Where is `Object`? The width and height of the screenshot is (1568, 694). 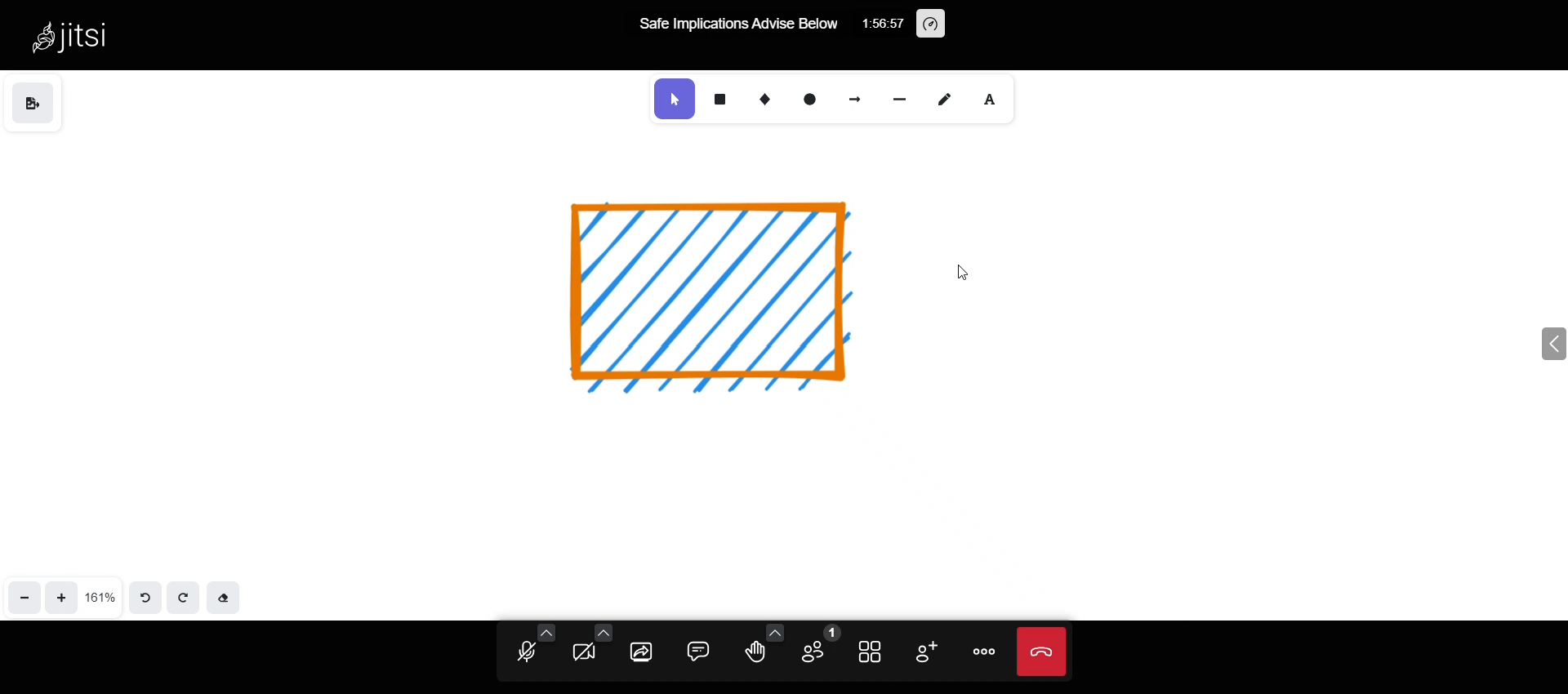 Object is located at coordinates (733, 287).